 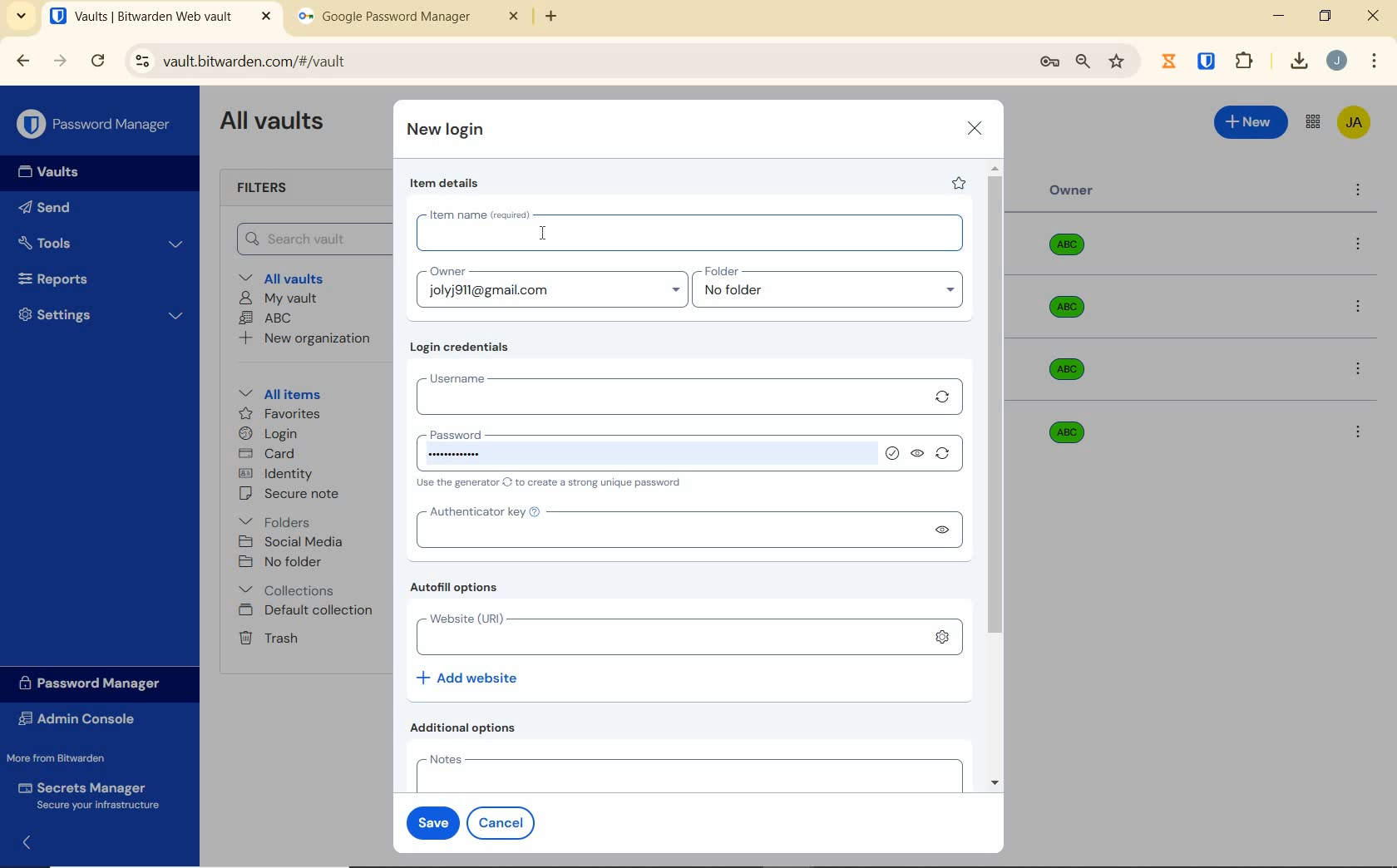 What do you see at coordinates (277, 392) in the screenshot?
I see `All items` at bounding box center [277, 392].